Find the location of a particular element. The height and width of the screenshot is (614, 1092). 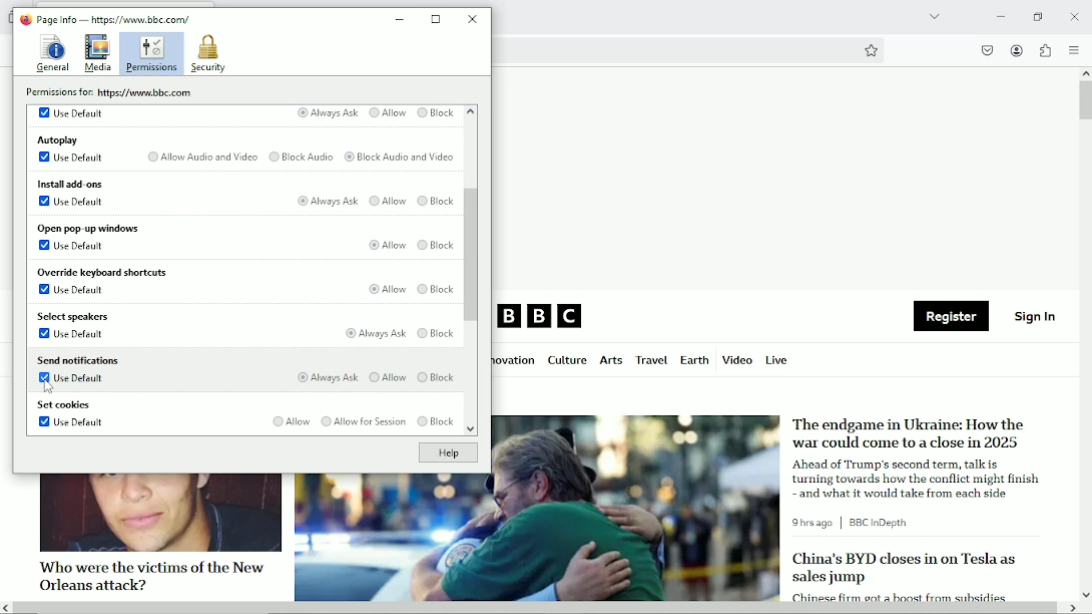

General is located at coordinates (51, 52).